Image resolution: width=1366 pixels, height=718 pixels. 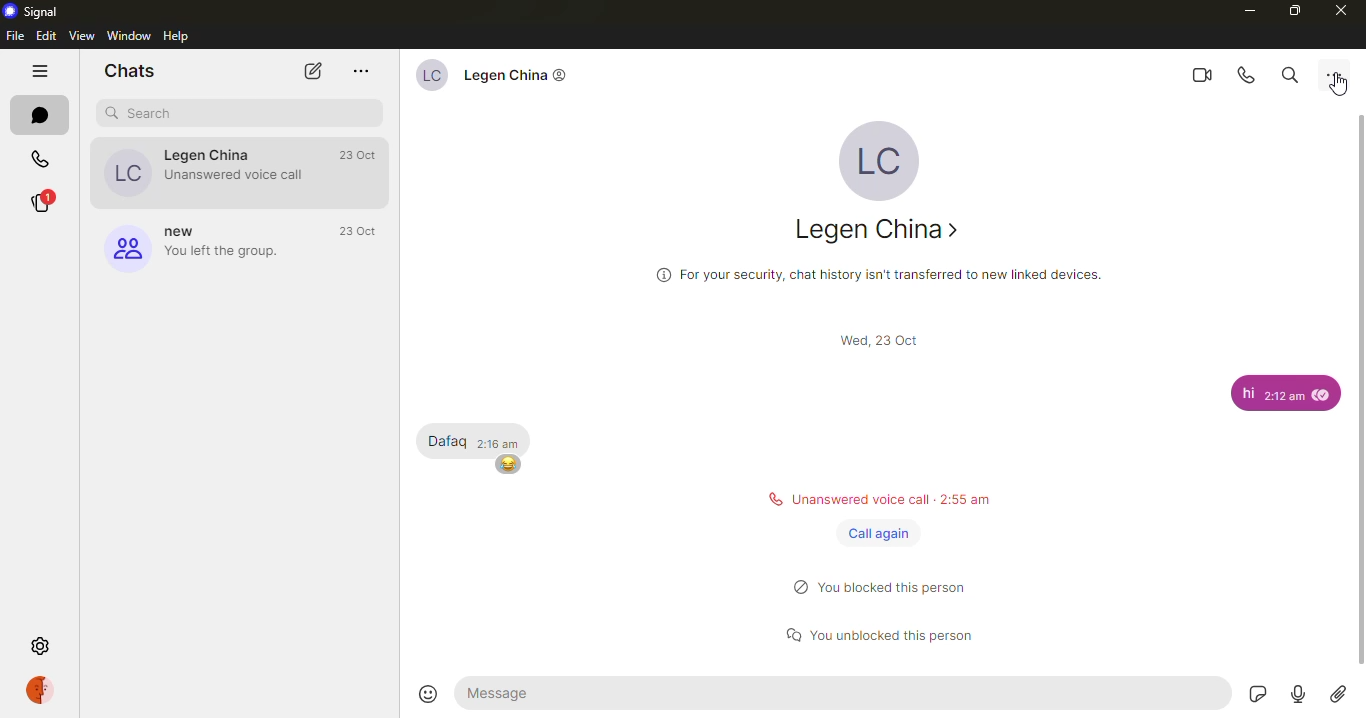 What do you see at coordinates (43, 202) in the screenshot?
I see `stories` at bounding box center [43, 202].